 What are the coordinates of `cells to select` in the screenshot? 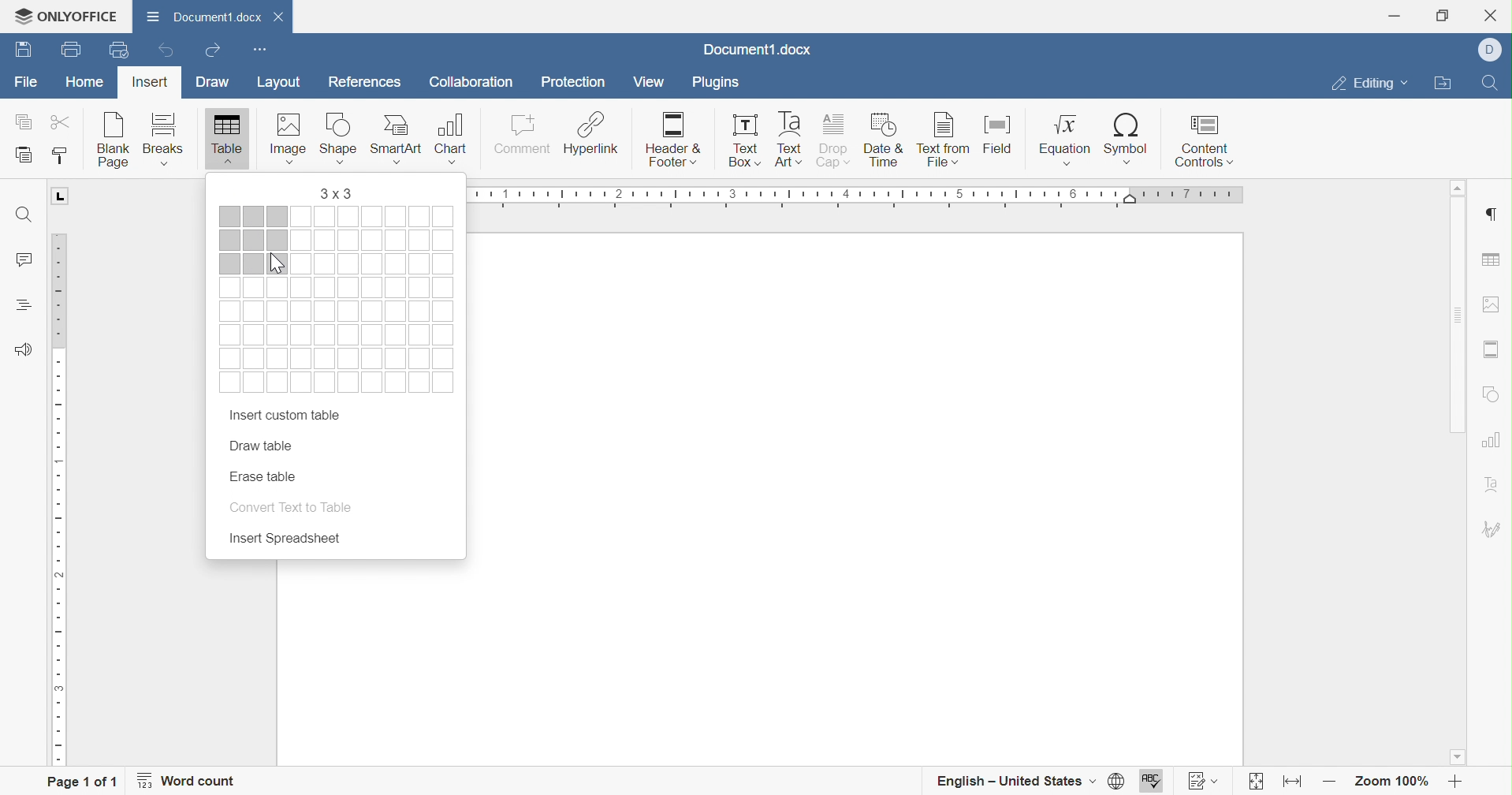 It's located at (338, 337).